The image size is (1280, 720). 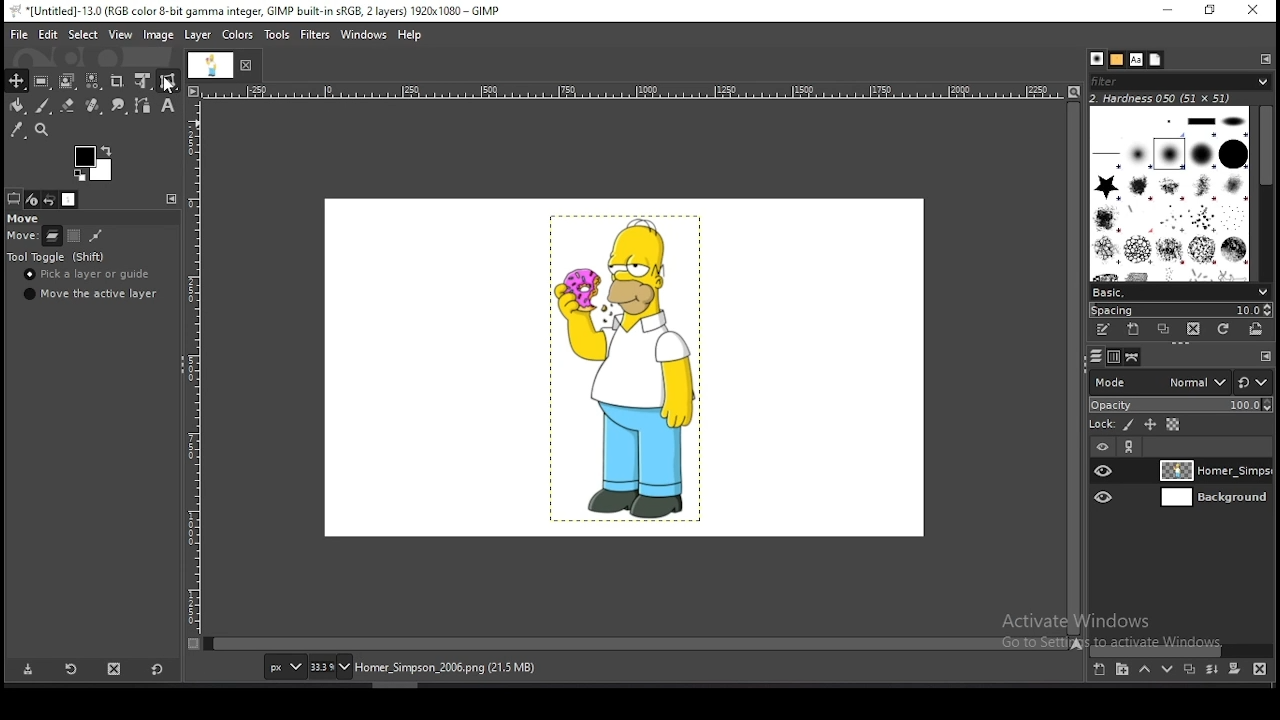 What do you see at coordinates (57, 258) in the screenshot?
I see `tool toggle` at bounding box center [57, 258].